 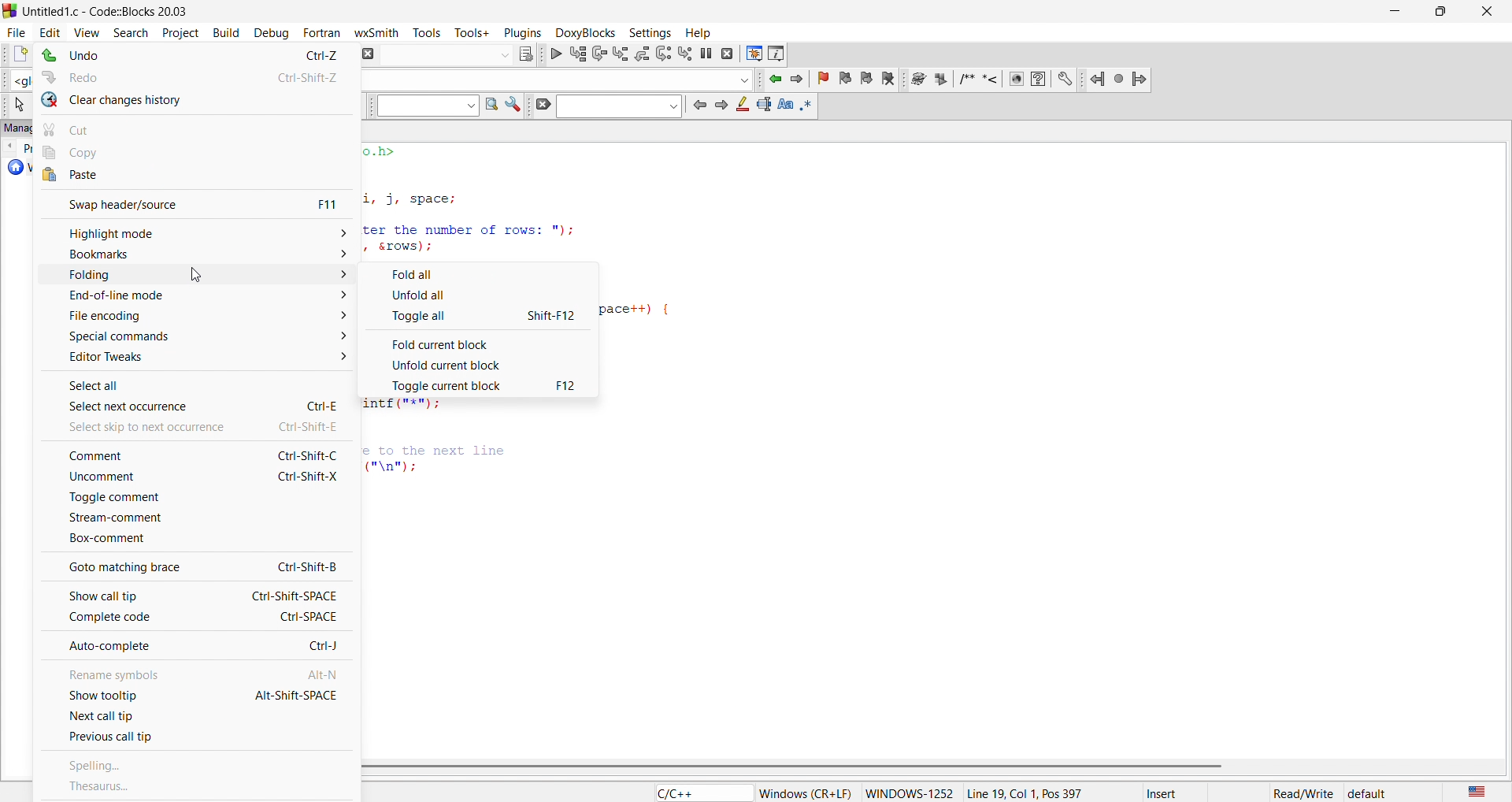 I want to click on new file, so click(x=14, y=55).